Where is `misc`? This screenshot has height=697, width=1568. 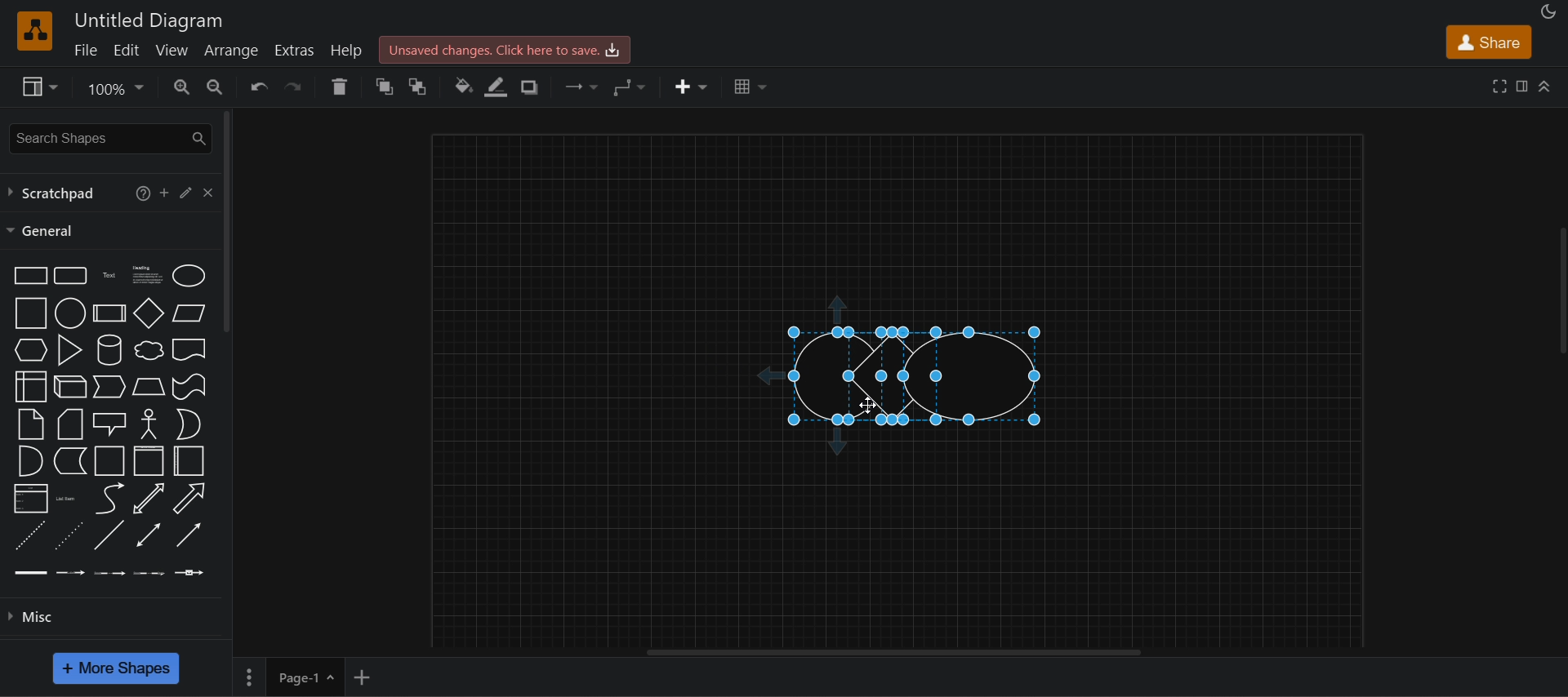 misc is located at coordinates (118, 615).